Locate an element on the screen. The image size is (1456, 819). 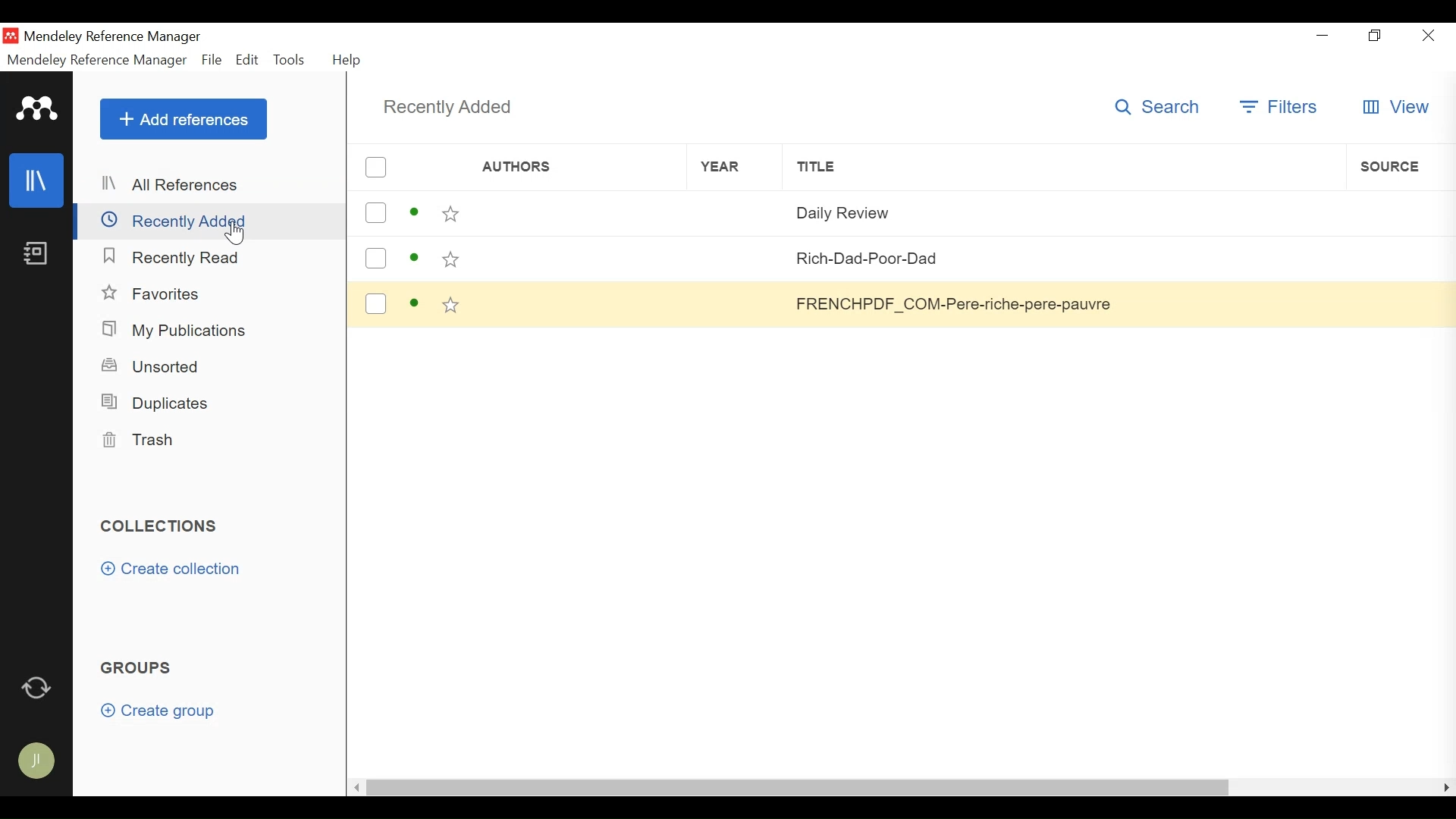
 is located at coordinates (1395, 303).